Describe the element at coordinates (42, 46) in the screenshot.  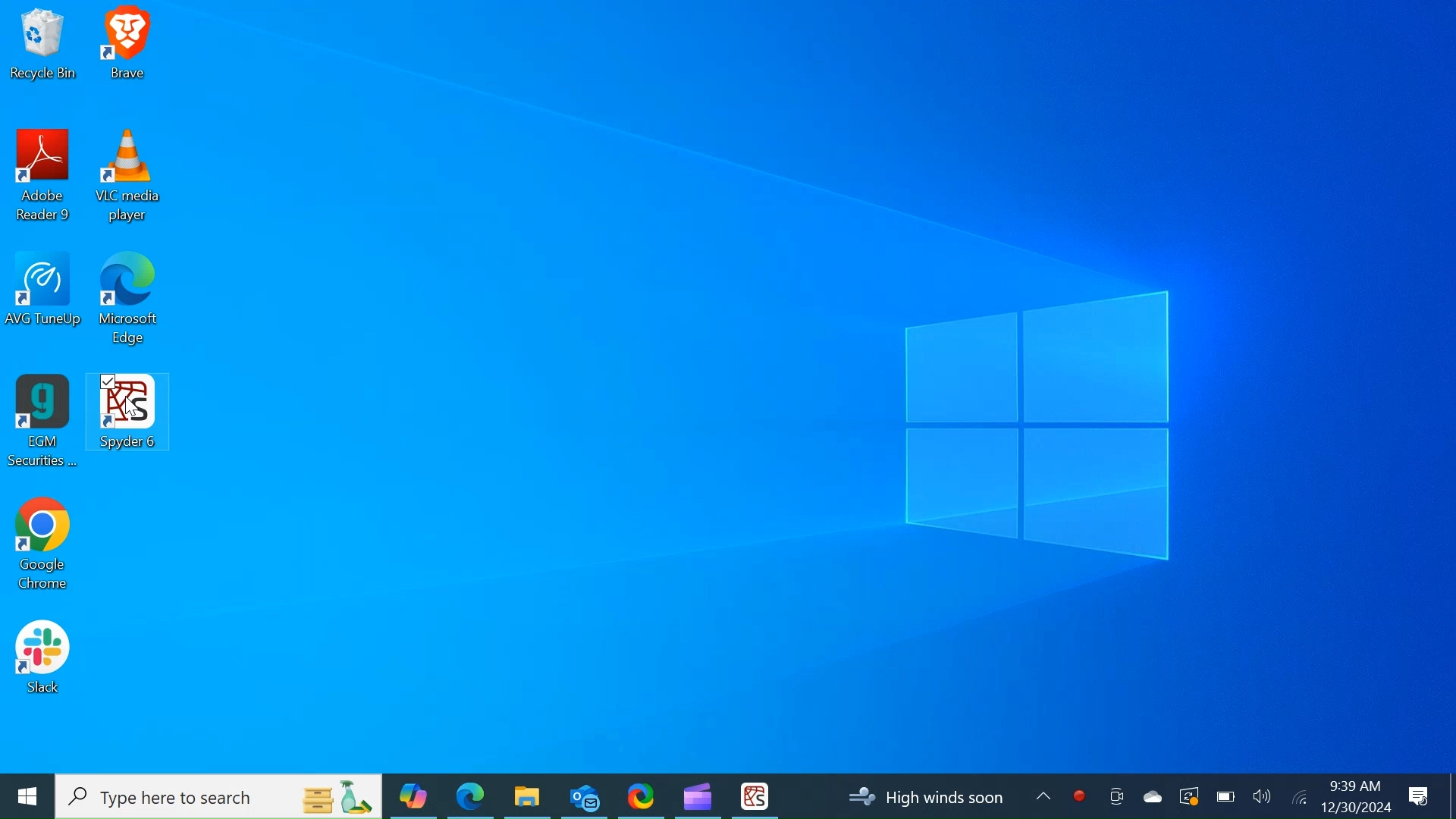
I see `Recycle bin Desktop Icon` at that location.